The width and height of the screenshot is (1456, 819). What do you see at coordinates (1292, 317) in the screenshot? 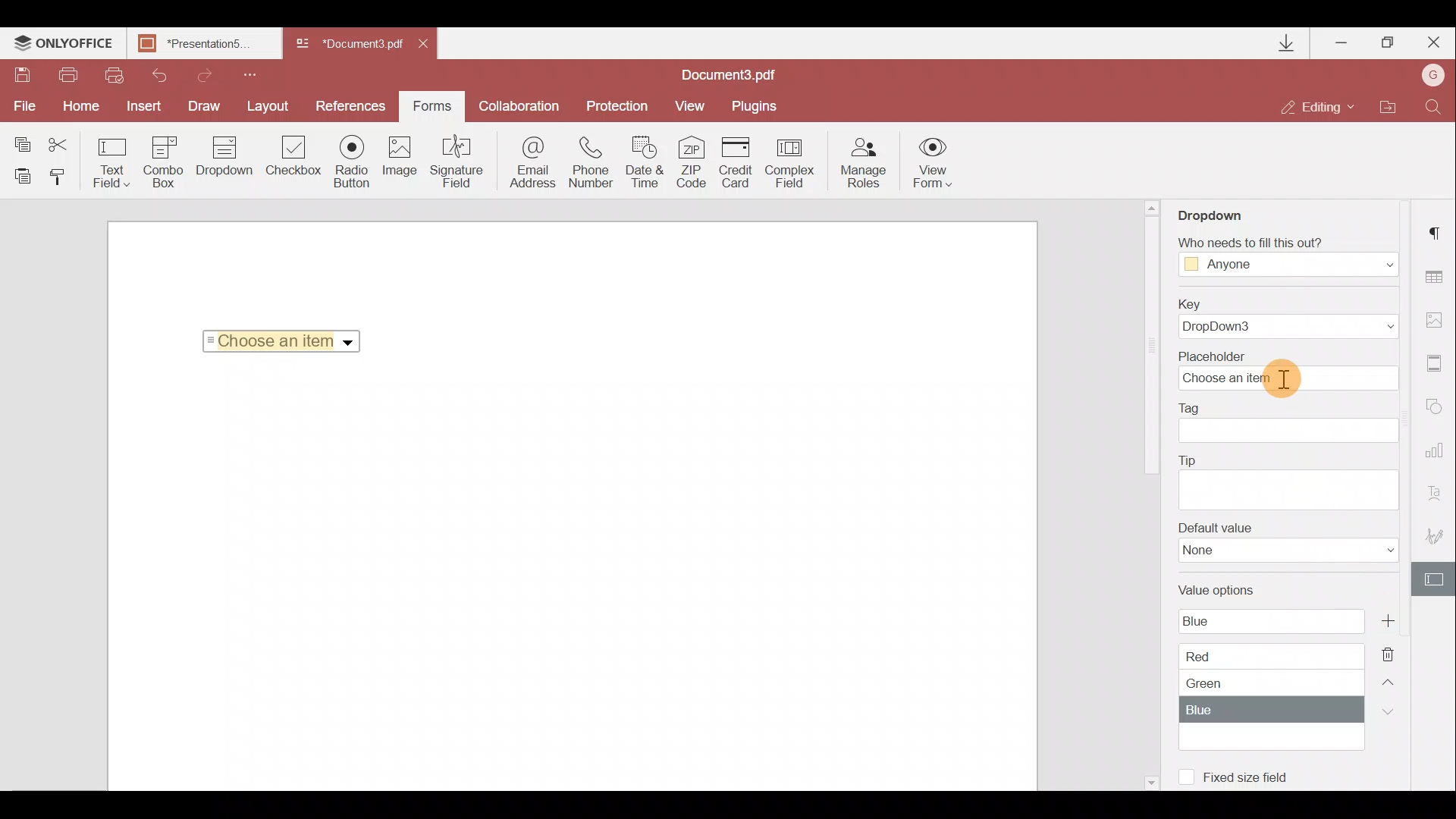
I see `Key` at bounding box center [1292, 317].